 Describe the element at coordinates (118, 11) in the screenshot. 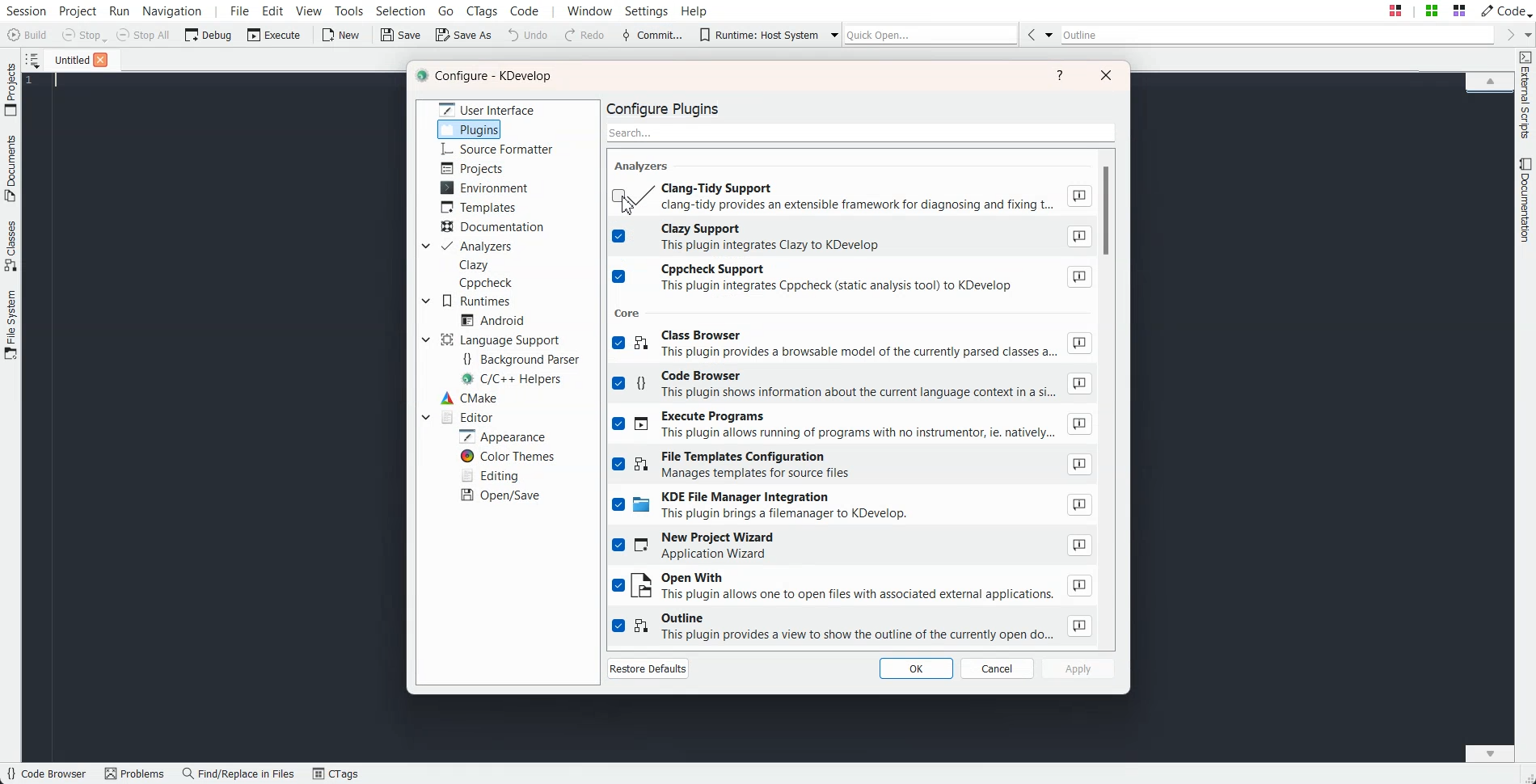

I see `Run` at that location.